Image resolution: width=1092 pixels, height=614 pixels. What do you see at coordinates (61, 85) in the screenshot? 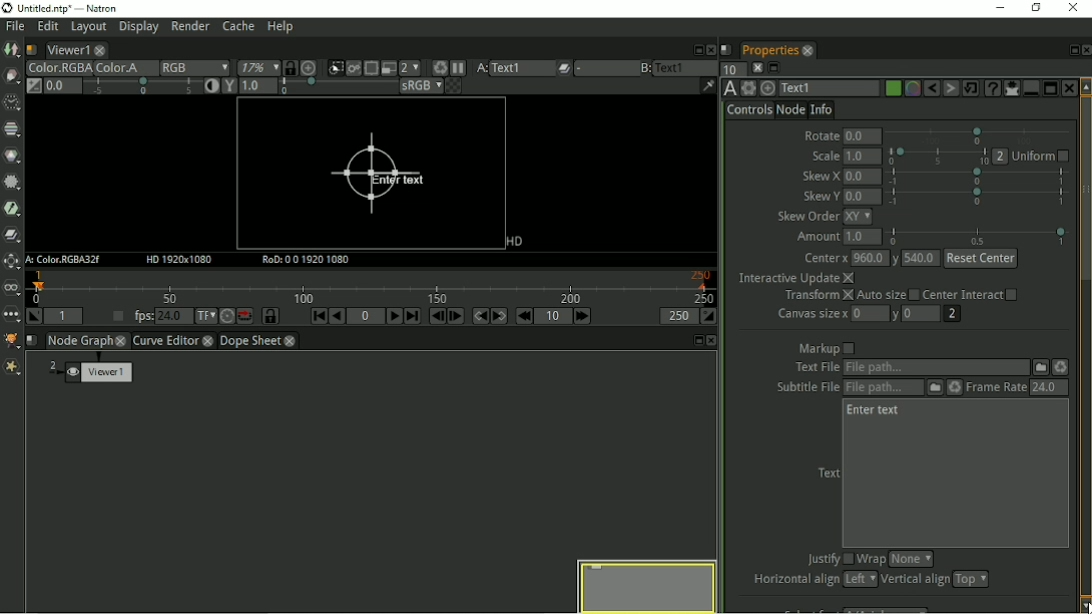
I see `Gain` at bounding box center [61, 85].